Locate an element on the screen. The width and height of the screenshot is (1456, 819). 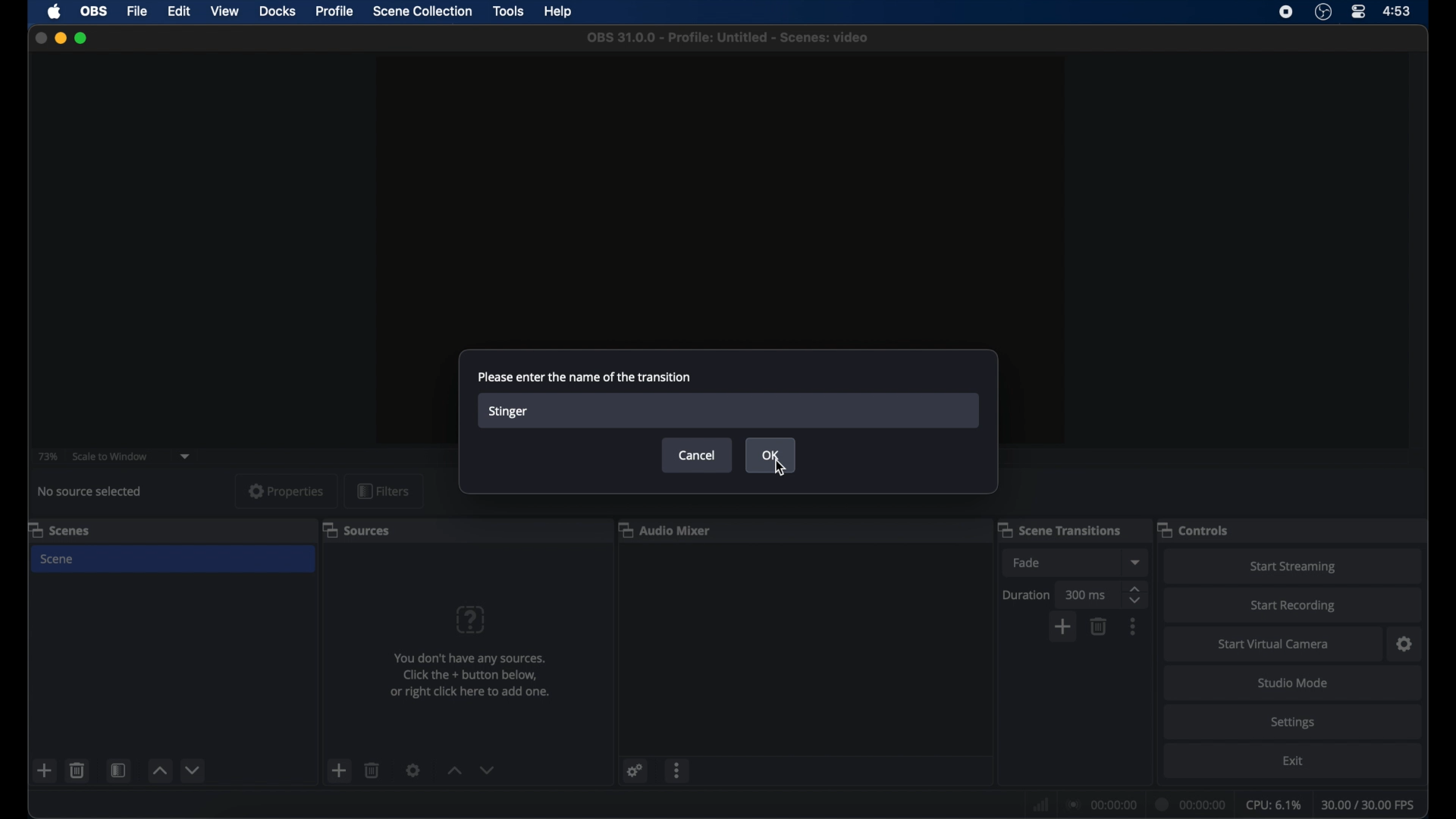
maximize is located at coordinates (82, 37).